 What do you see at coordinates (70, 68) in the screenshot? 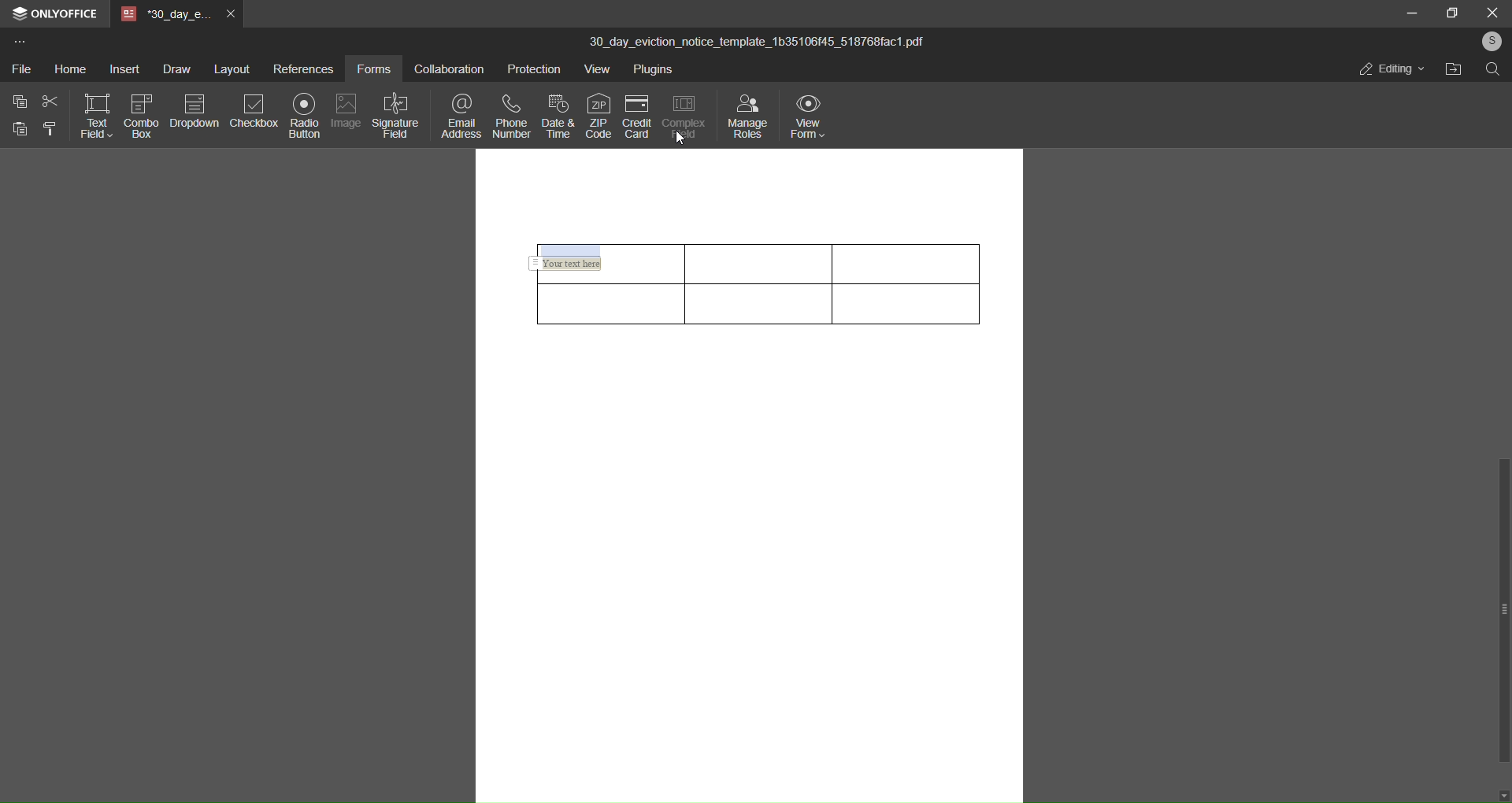
I see `home` at bounding box center [70, 68].